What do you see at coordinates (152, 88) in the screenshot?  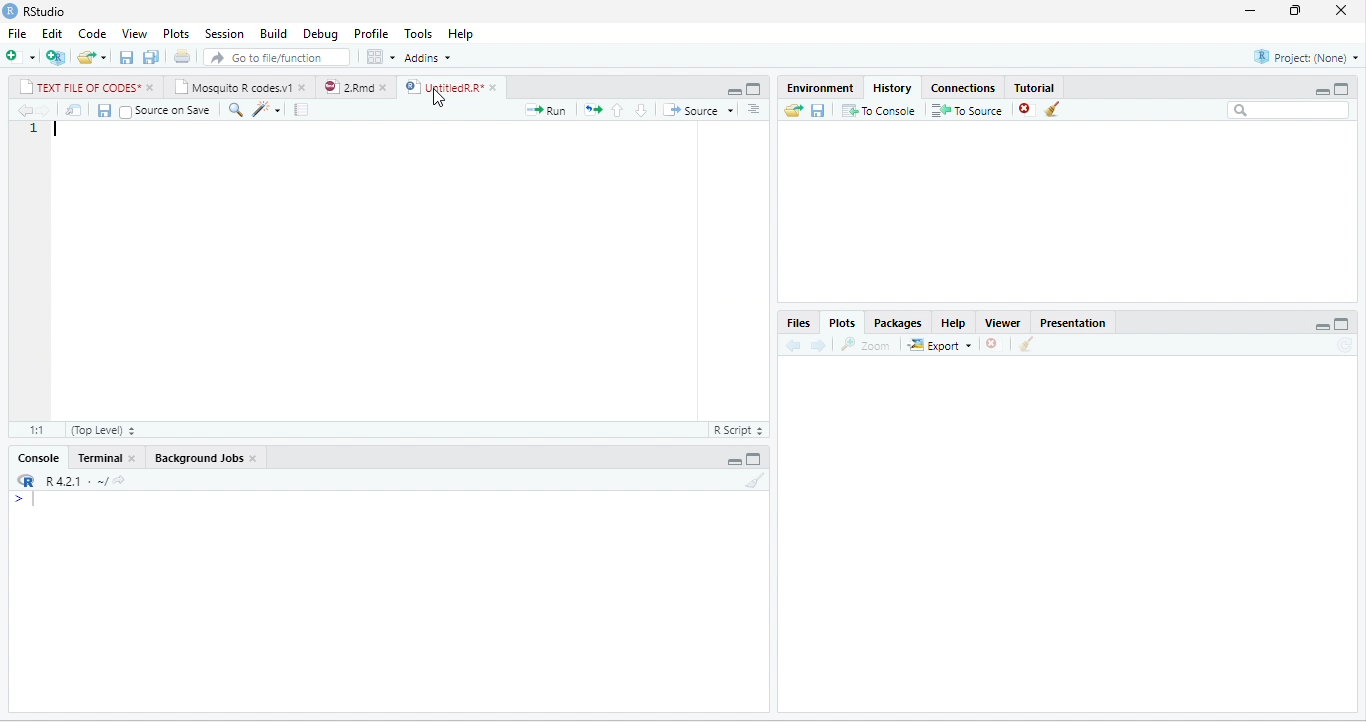 I see `close` at bounding box center [152, 88].